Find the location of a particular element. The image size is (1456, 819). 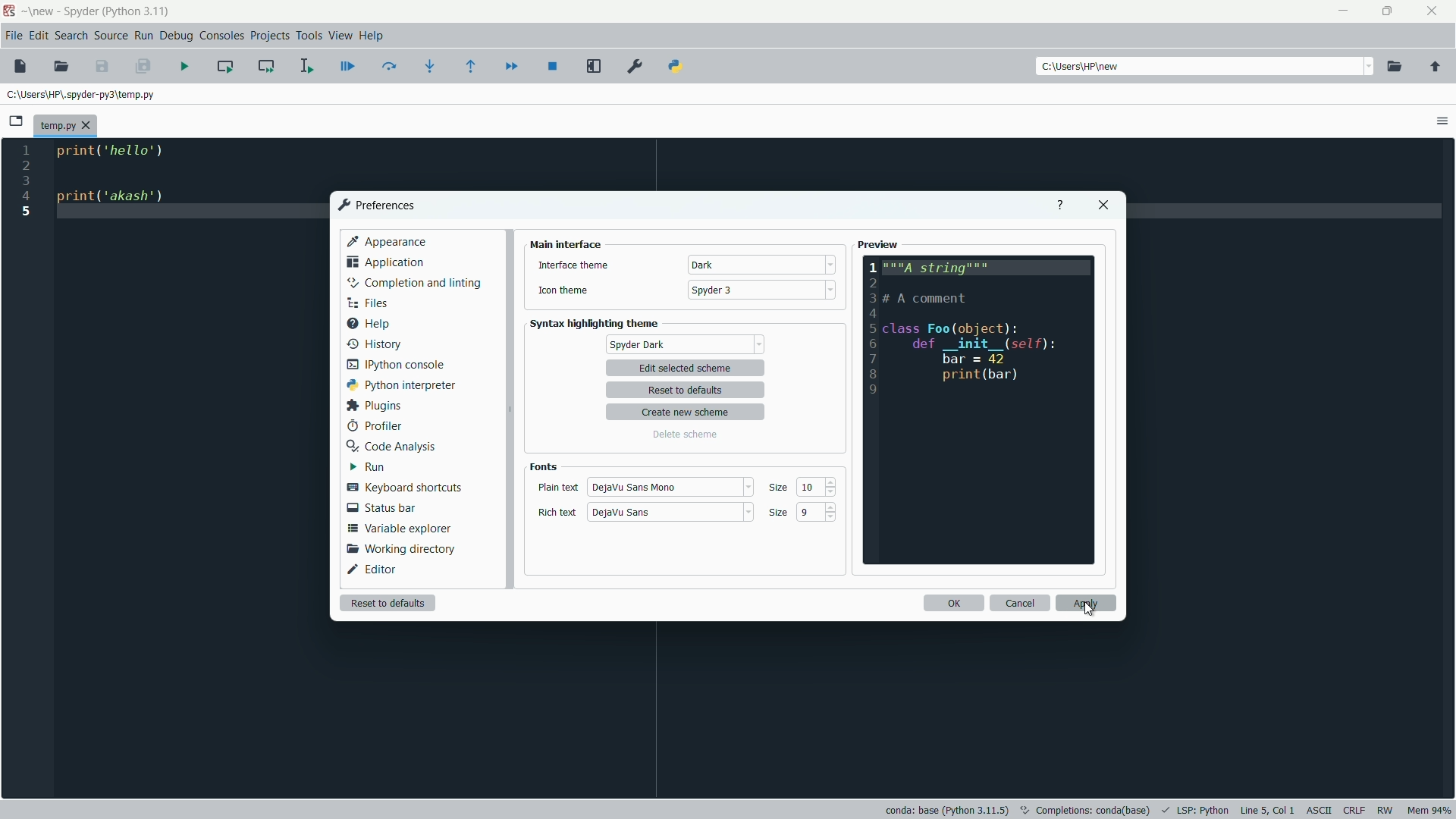

application is located at coordinates (385, 262).